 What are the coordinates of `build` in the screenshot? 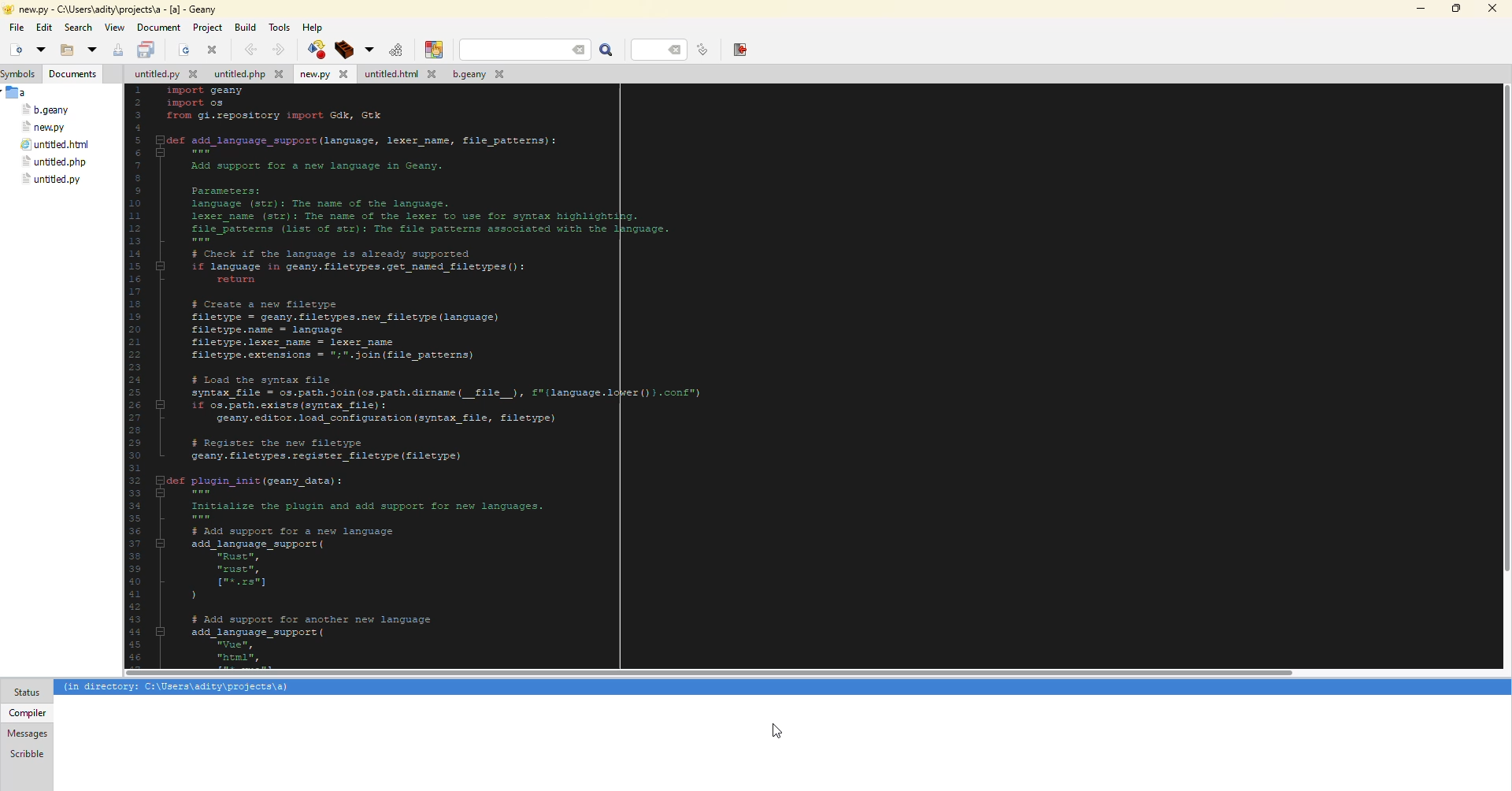 It's located at (245, 28).